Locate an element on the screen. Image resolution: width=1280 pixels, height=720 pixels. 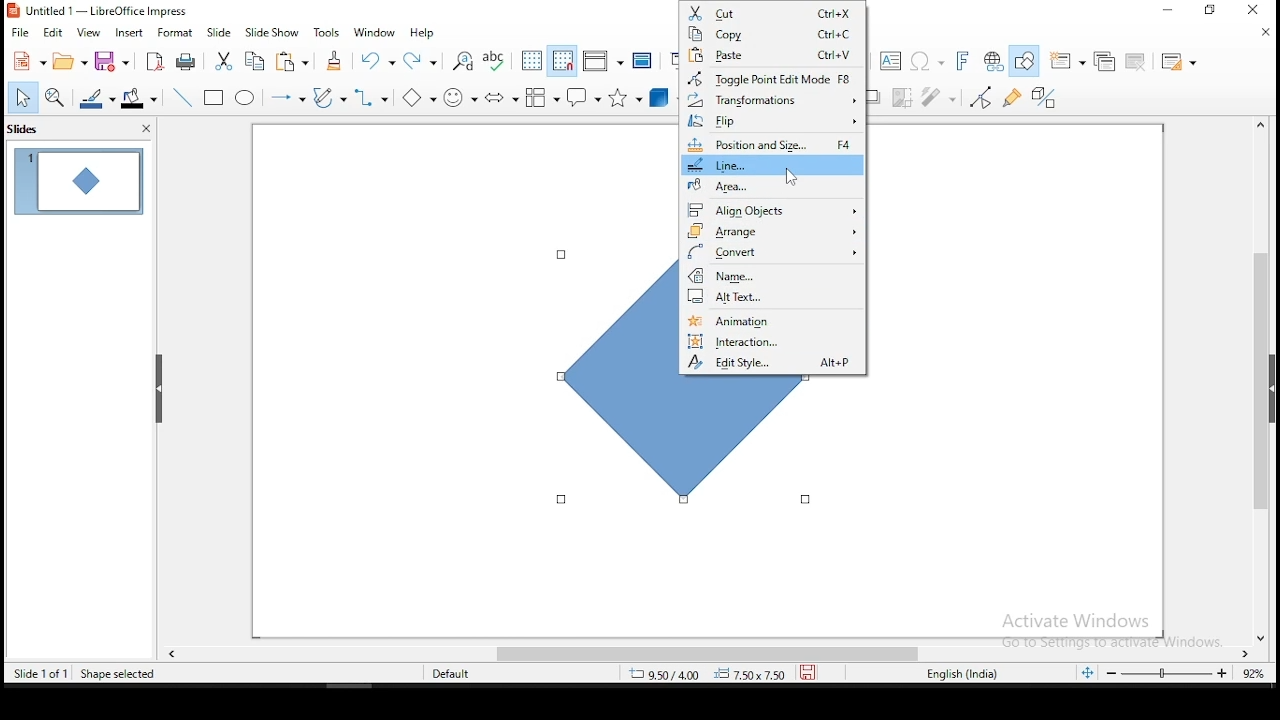
symbol shapes is located at coordinates (463, 100).